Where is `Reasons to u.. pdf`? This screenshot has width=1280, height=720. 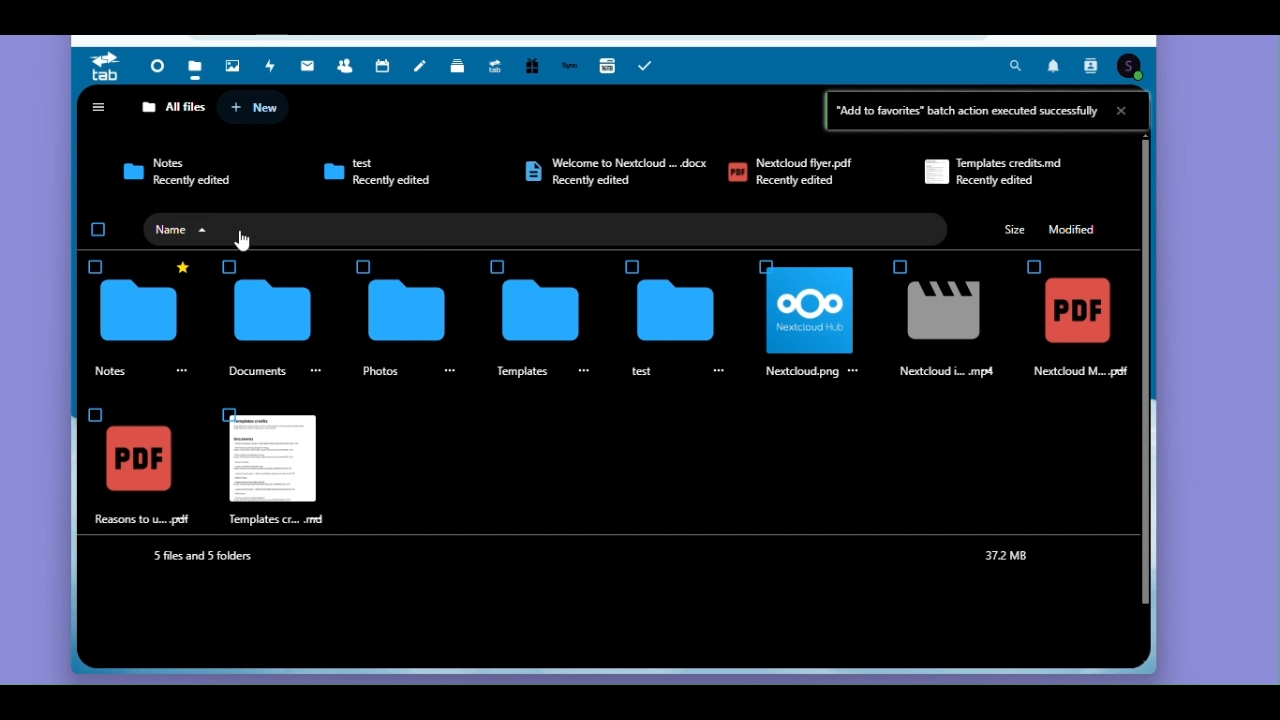
Reasons to u.. pdf is located at coordinates (145, 519).